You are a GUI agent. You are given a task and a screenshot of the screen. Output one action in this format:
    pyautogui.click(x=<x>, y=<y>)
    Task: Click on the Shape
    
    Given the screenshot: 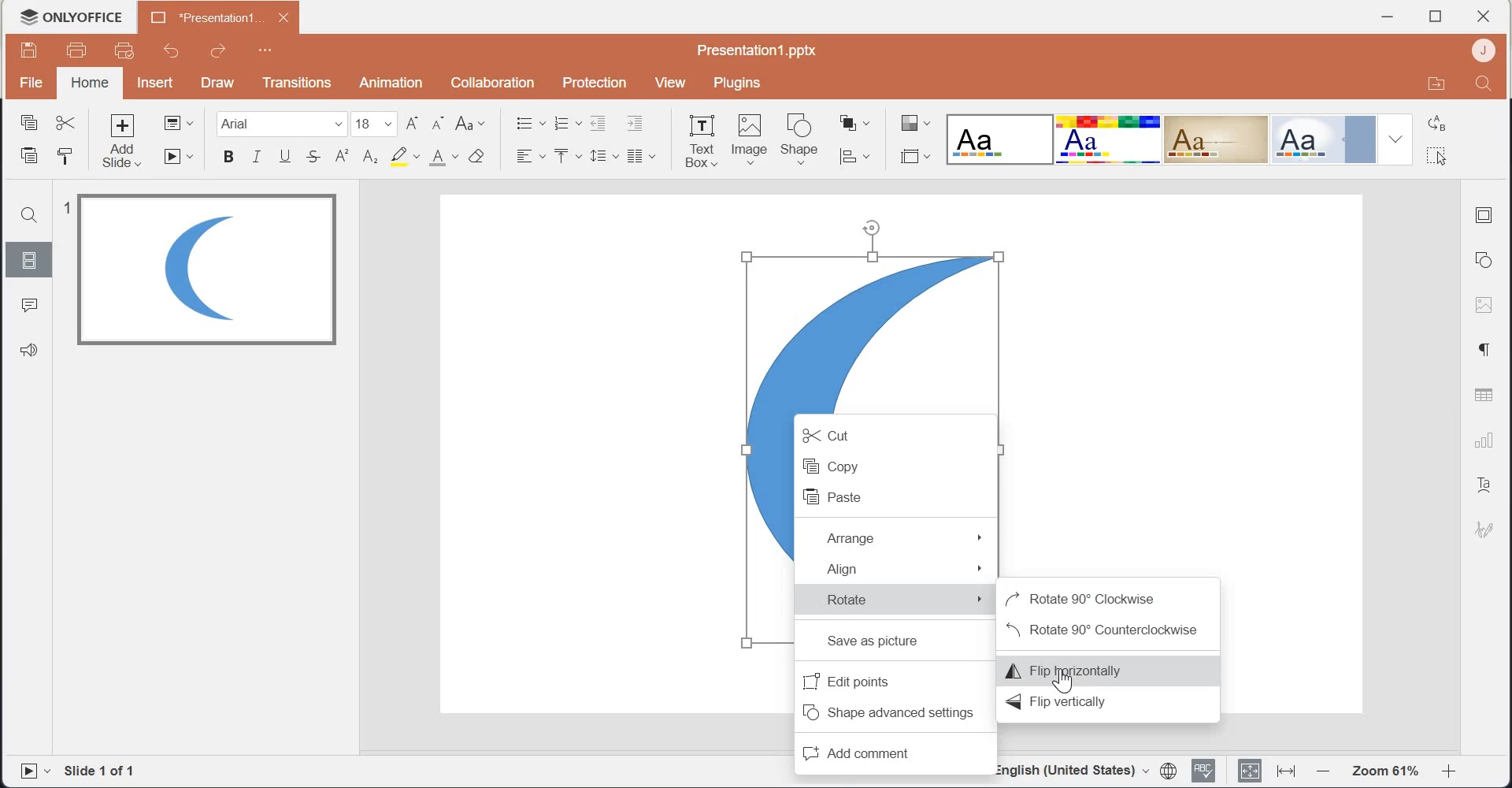 What is the action you would take?
    pyautogui.click(x=1488, y=257)
    